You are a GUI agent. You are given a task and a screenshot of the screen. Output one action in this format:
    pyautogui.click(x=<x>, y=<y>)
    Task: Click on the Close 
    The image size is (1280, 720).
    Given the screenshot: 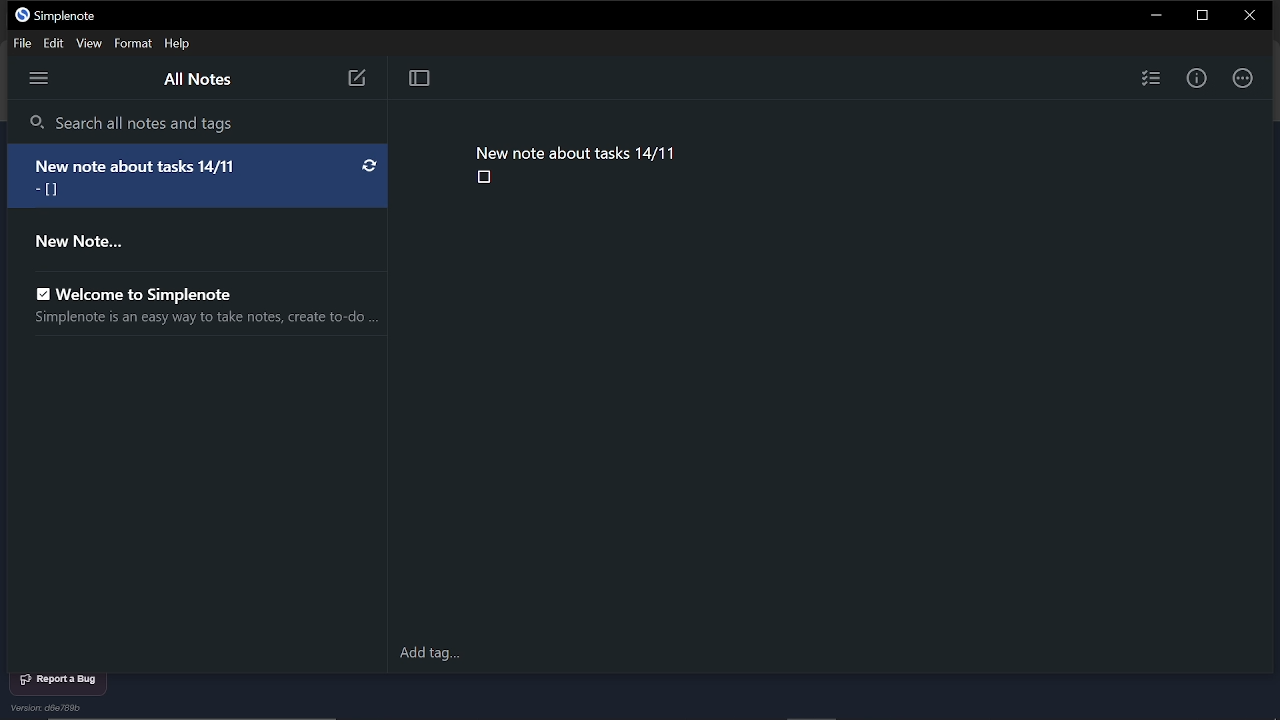 What is the action you would take?
    pyautogui.click(x=1253, y=17)
    